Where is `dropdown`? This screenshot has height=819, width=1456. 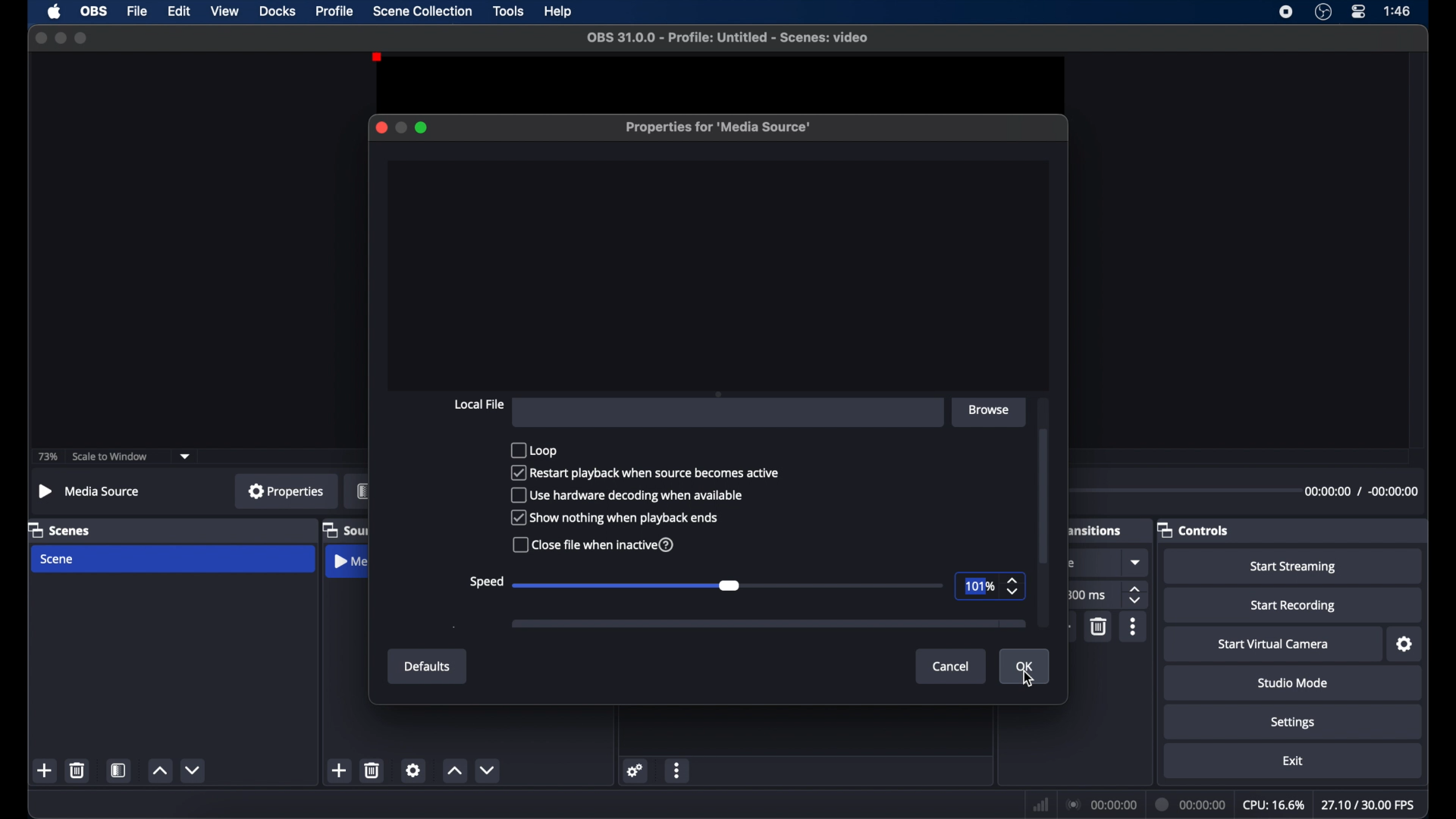 dropdown is located at coordinates (185, 457).